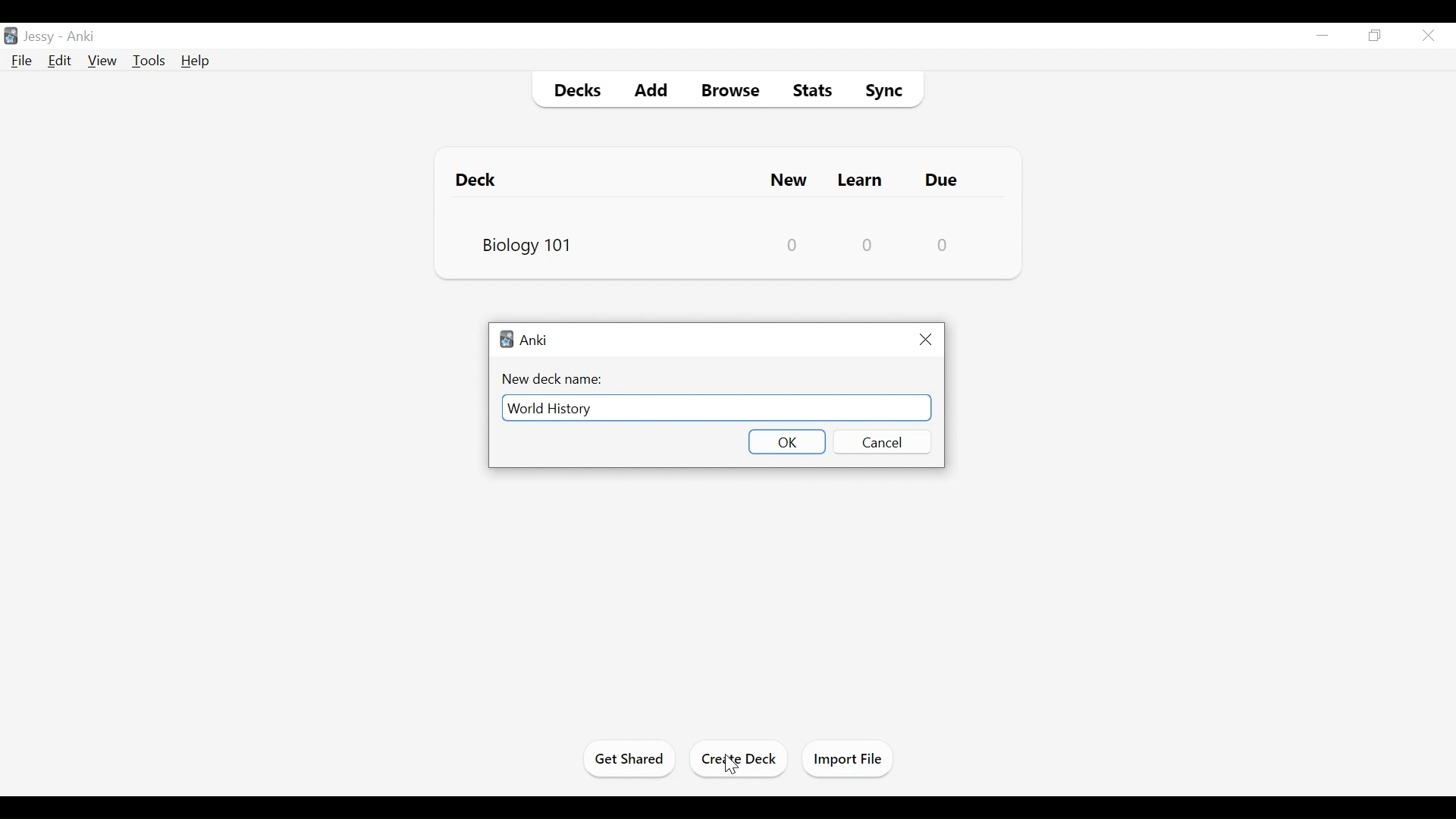  Describe the element at coordinates (551, 379) in the screenshot. I see `New Deck Name` at that location.